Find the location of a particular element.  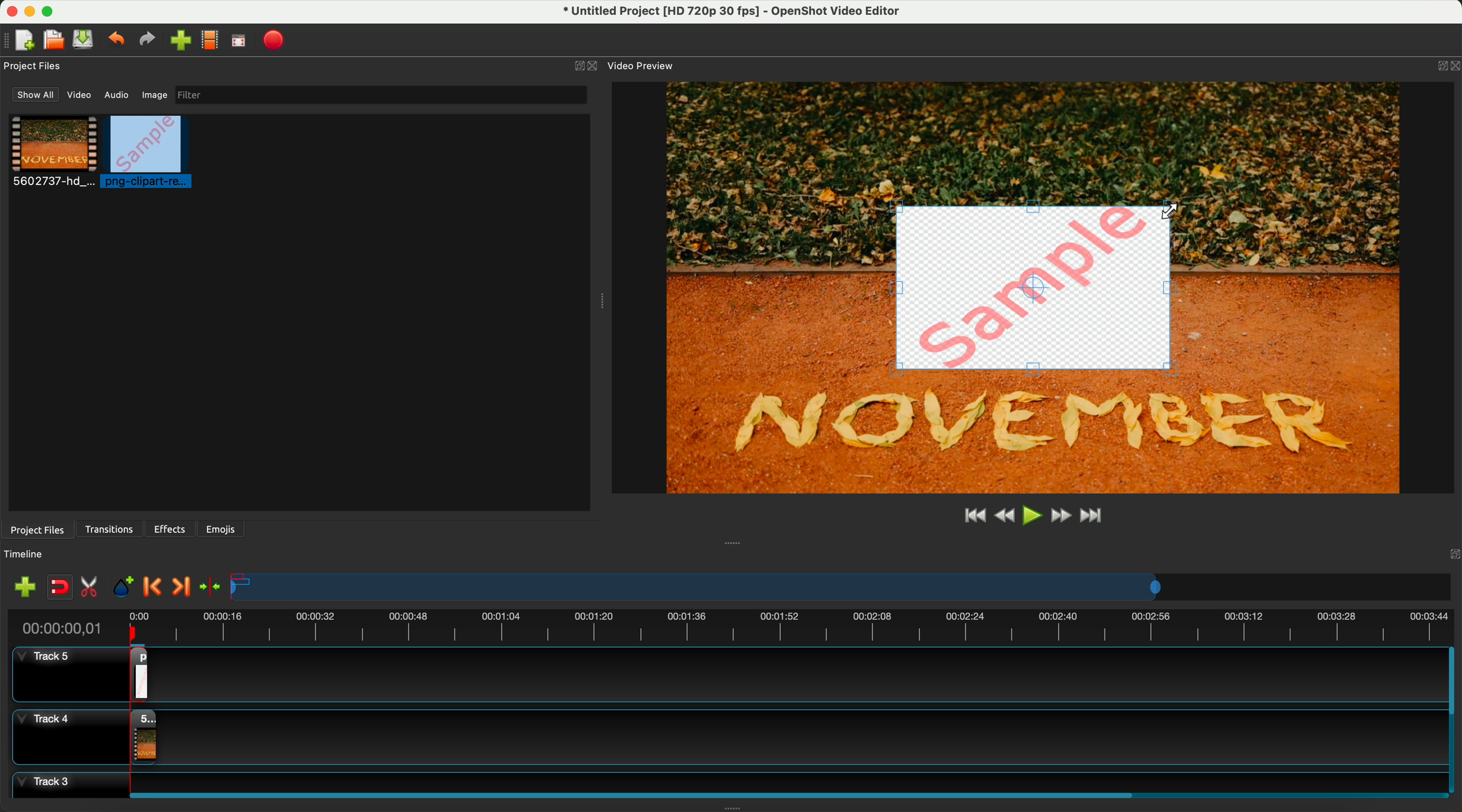

jump to end is located at coordinates (1093, 517).